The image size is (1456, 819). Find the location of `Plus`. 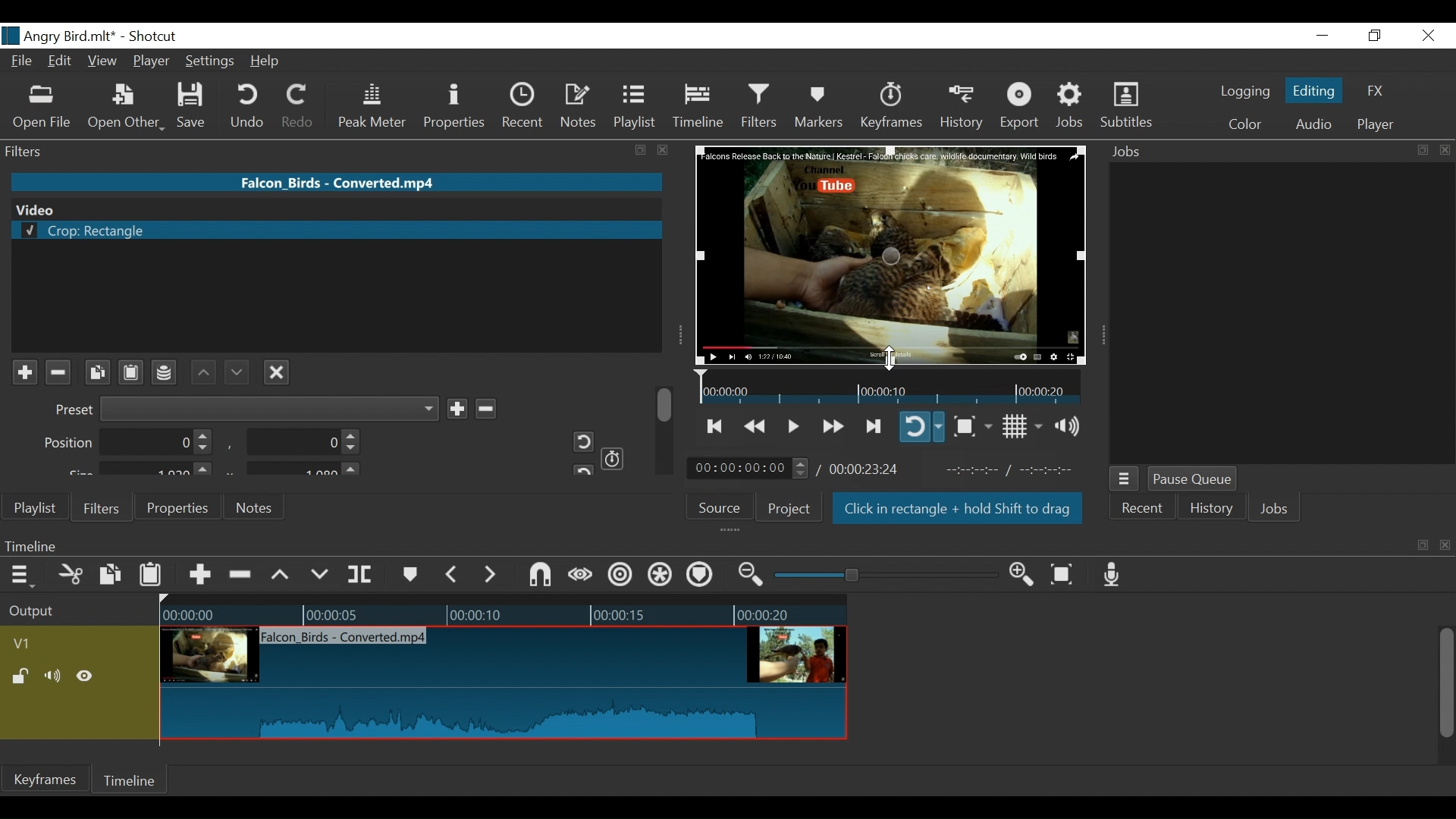

Plus is located at coordinates (24, 373).